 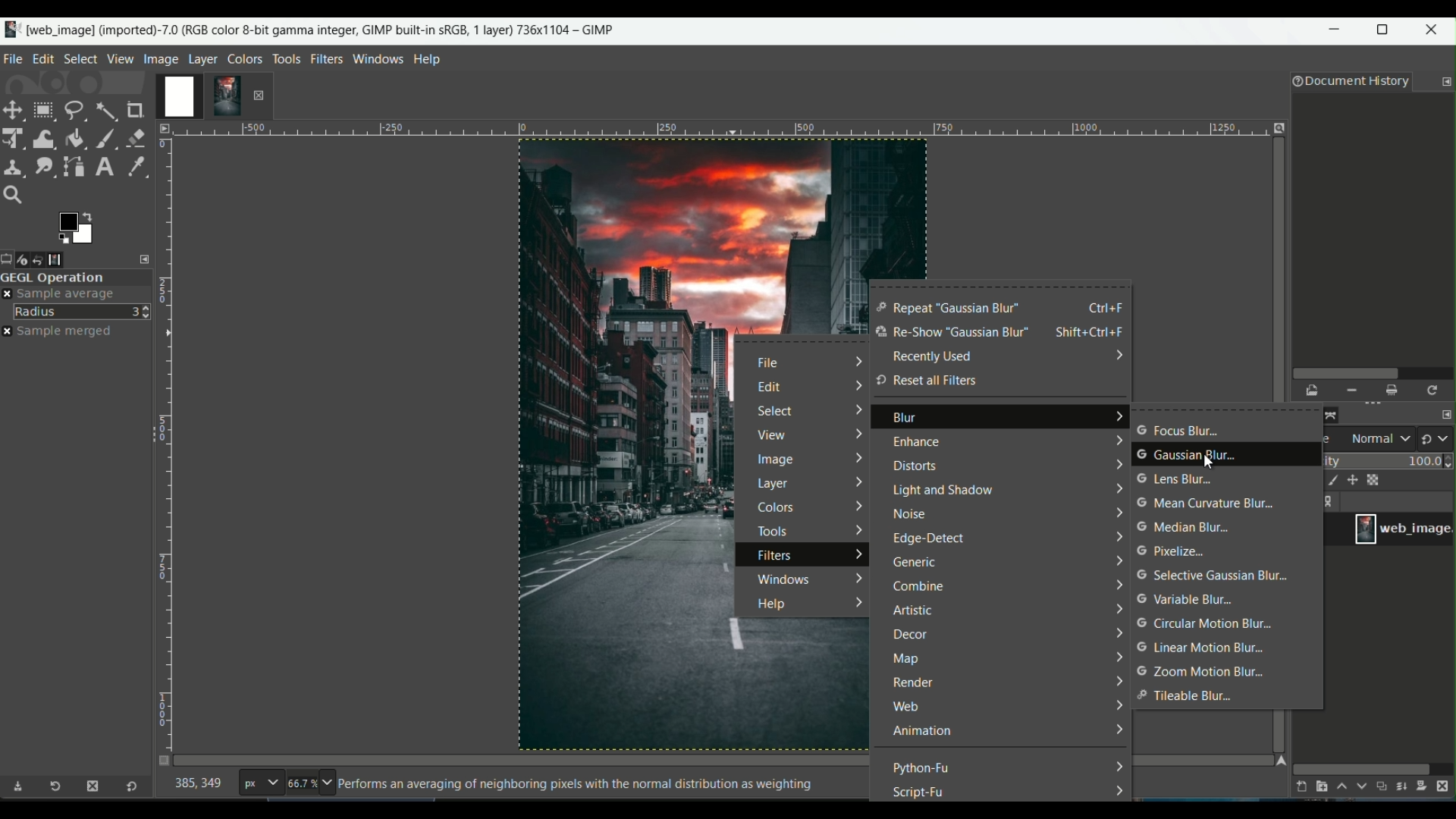 What do you see at coordinates (912, 683) in the screenshot?
I see `render` at bounding box center [912, 683].